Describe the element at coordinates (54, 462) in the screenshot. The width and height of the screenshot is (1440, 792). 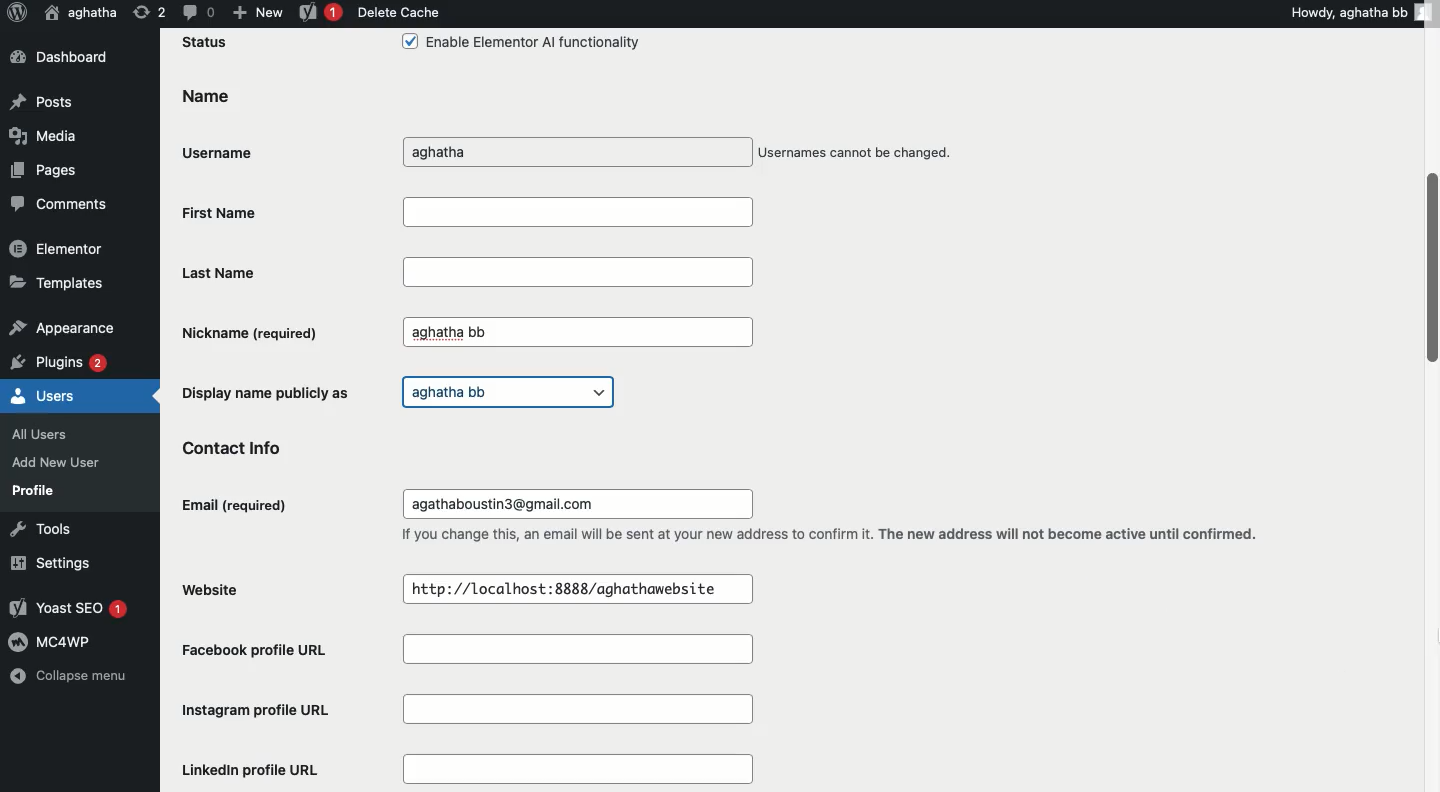
I see `Add New User` at that location.